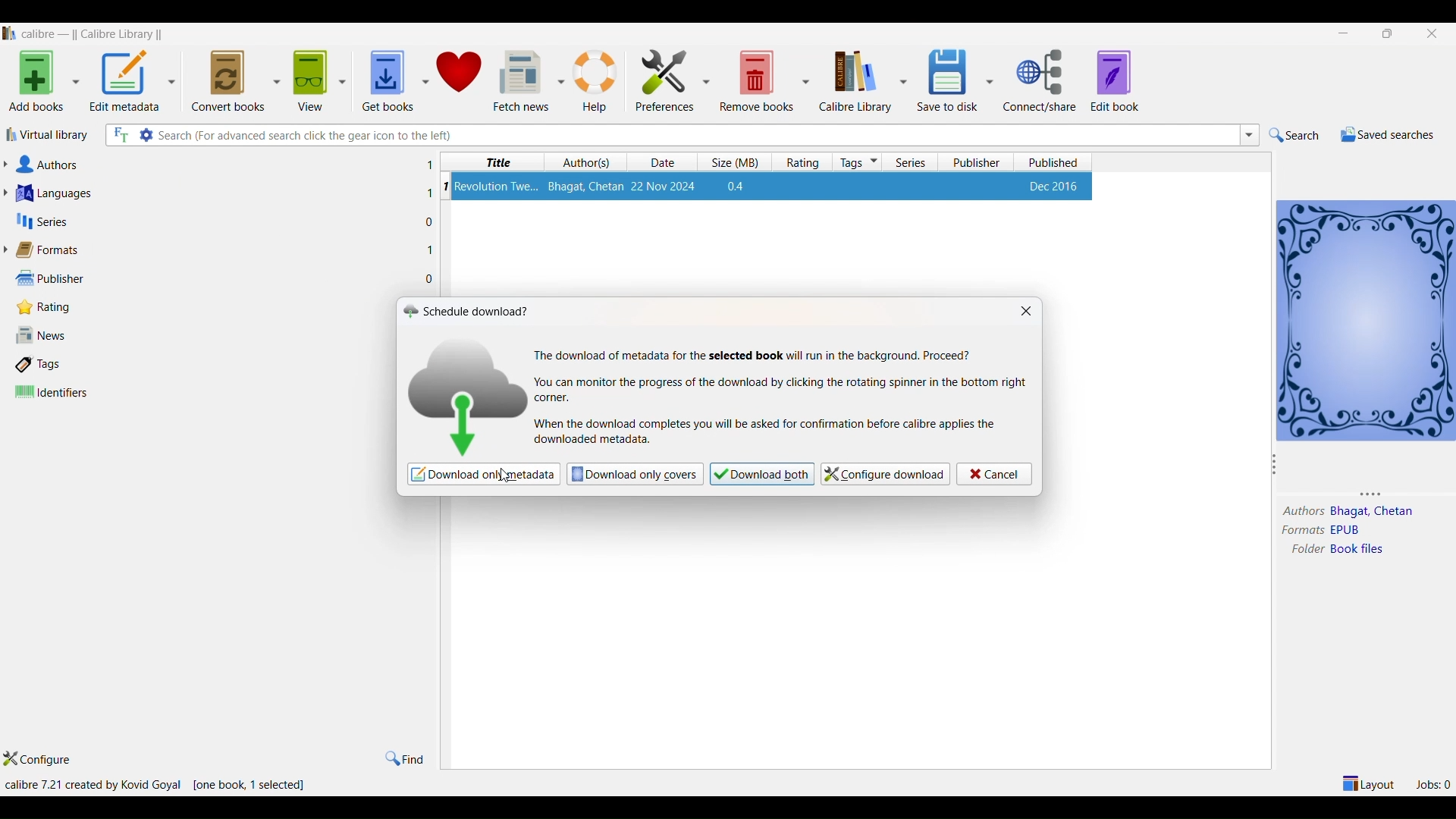 This screenshot has height=819, width=1456. Describe the element at coordinates (465, 397) in the screenshot. I see `download logo` at that location.